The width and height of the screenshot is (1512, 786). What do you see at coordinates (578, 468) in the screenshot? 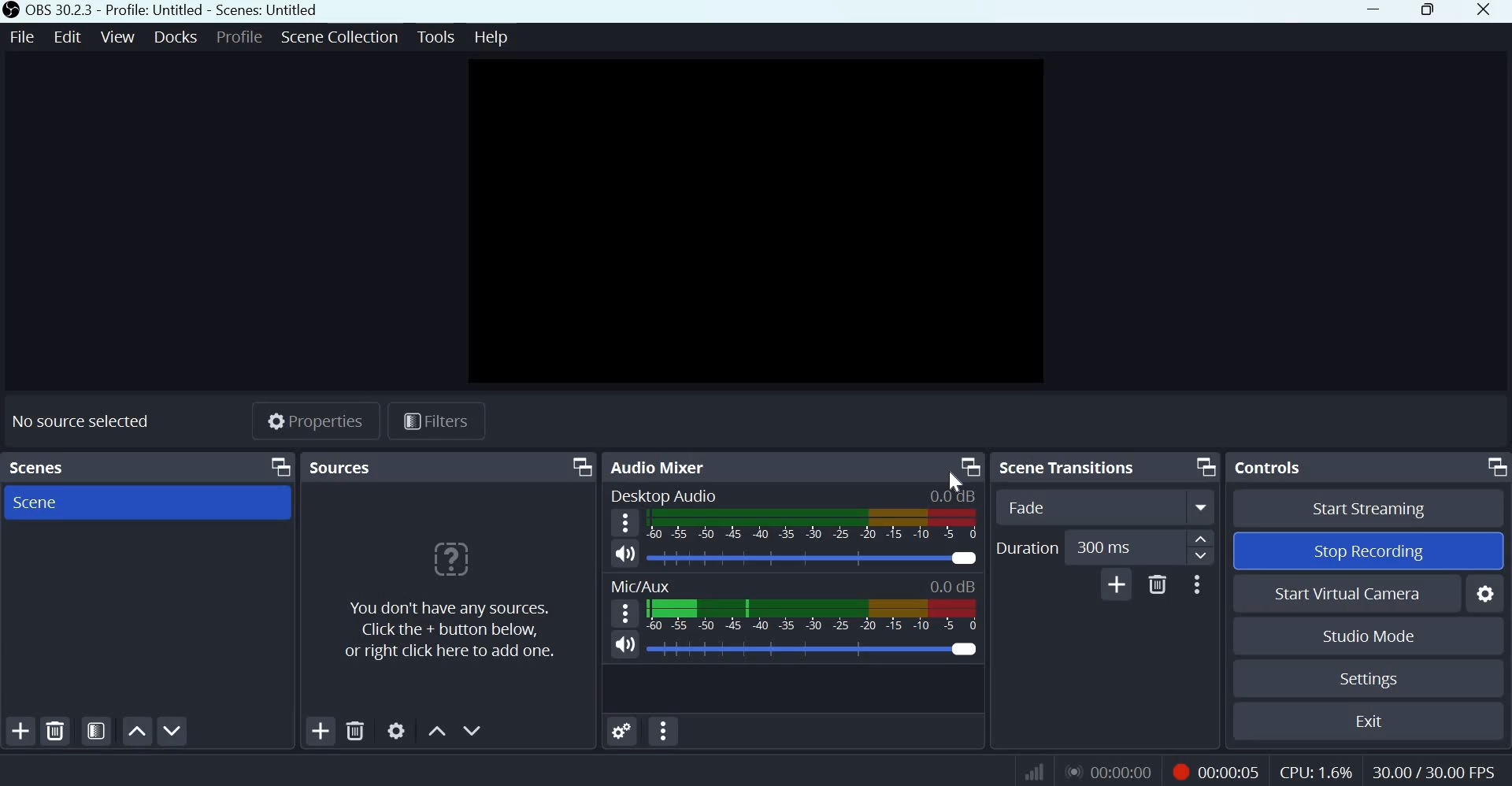
I see `Dock Options icon` at bounding box center [578, 468].